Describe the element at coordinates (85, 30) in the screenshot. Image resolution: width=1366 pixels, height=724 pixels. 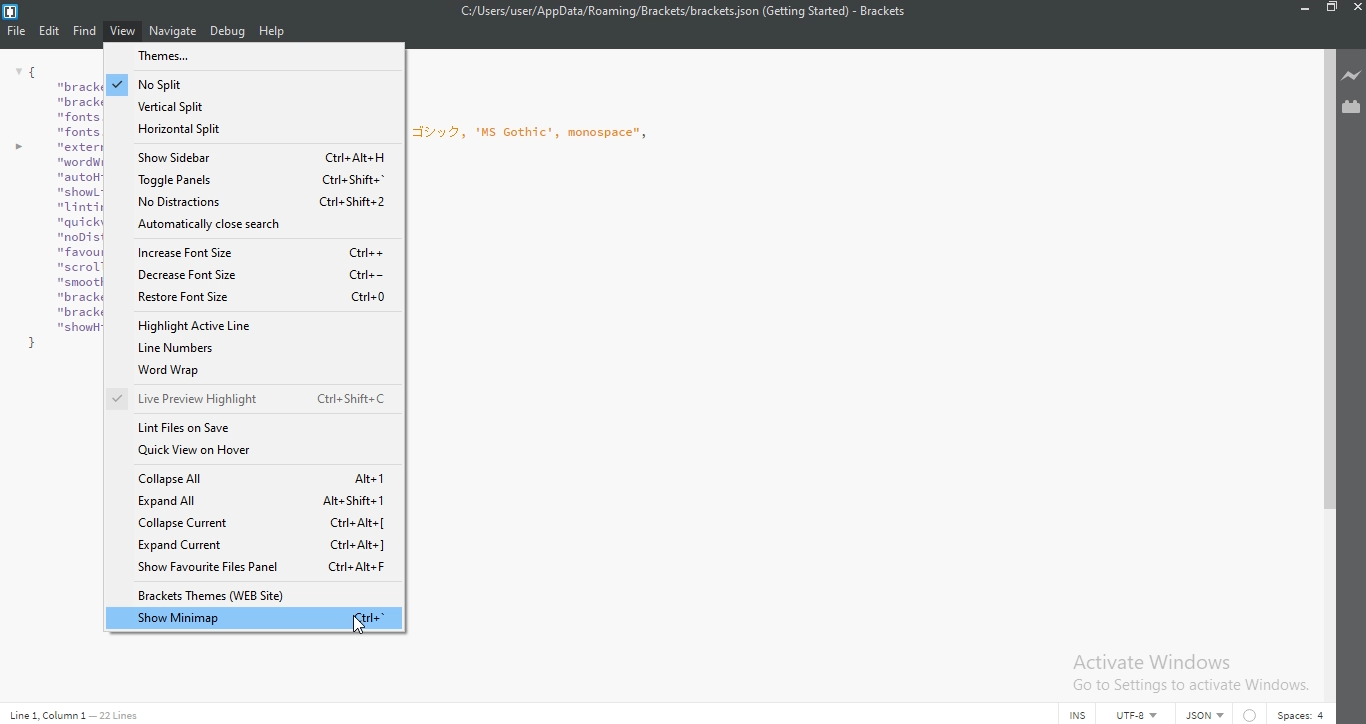
I see `Find` at that location.